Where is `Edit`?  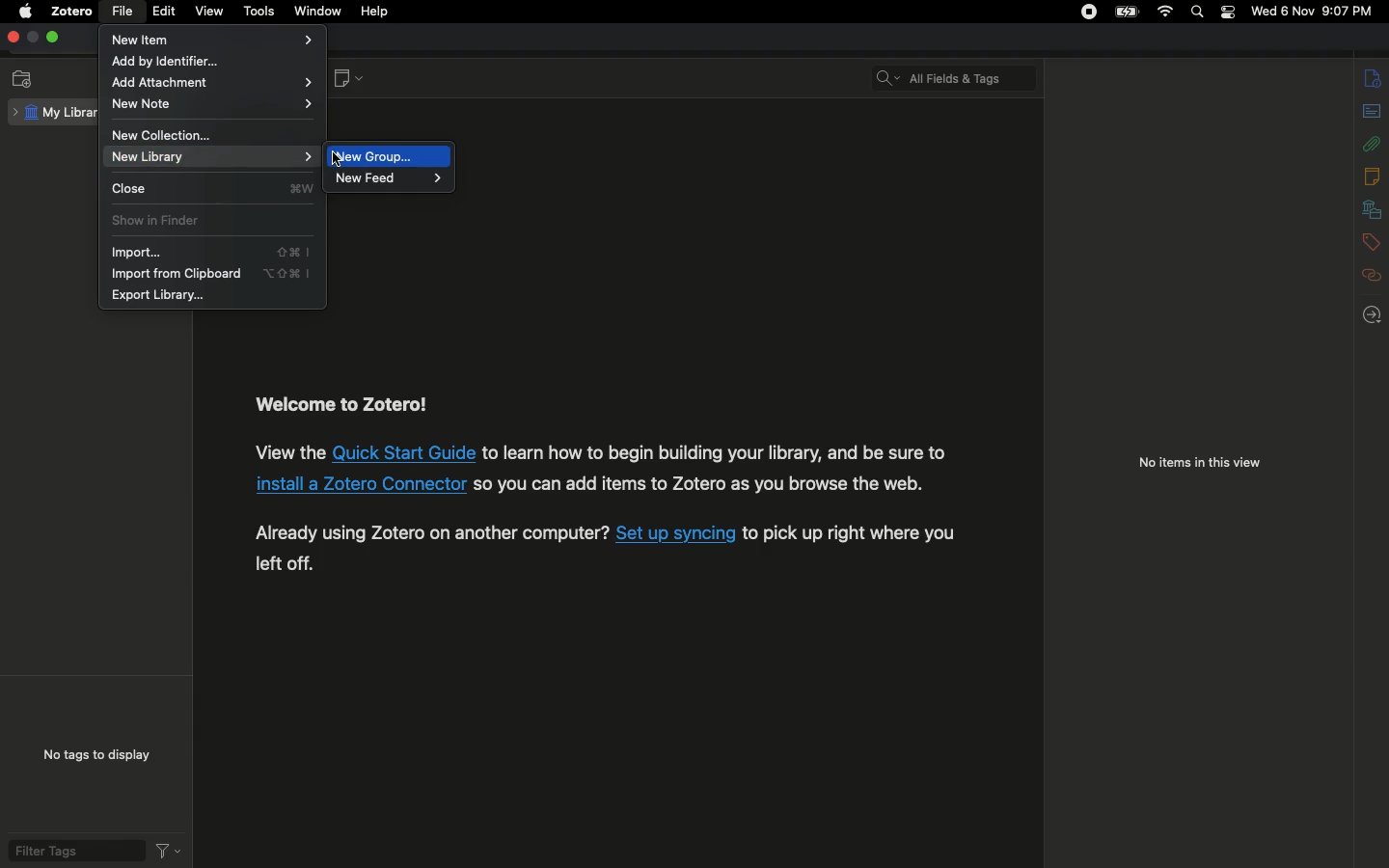 Edit is located at coordinates (164, 14).